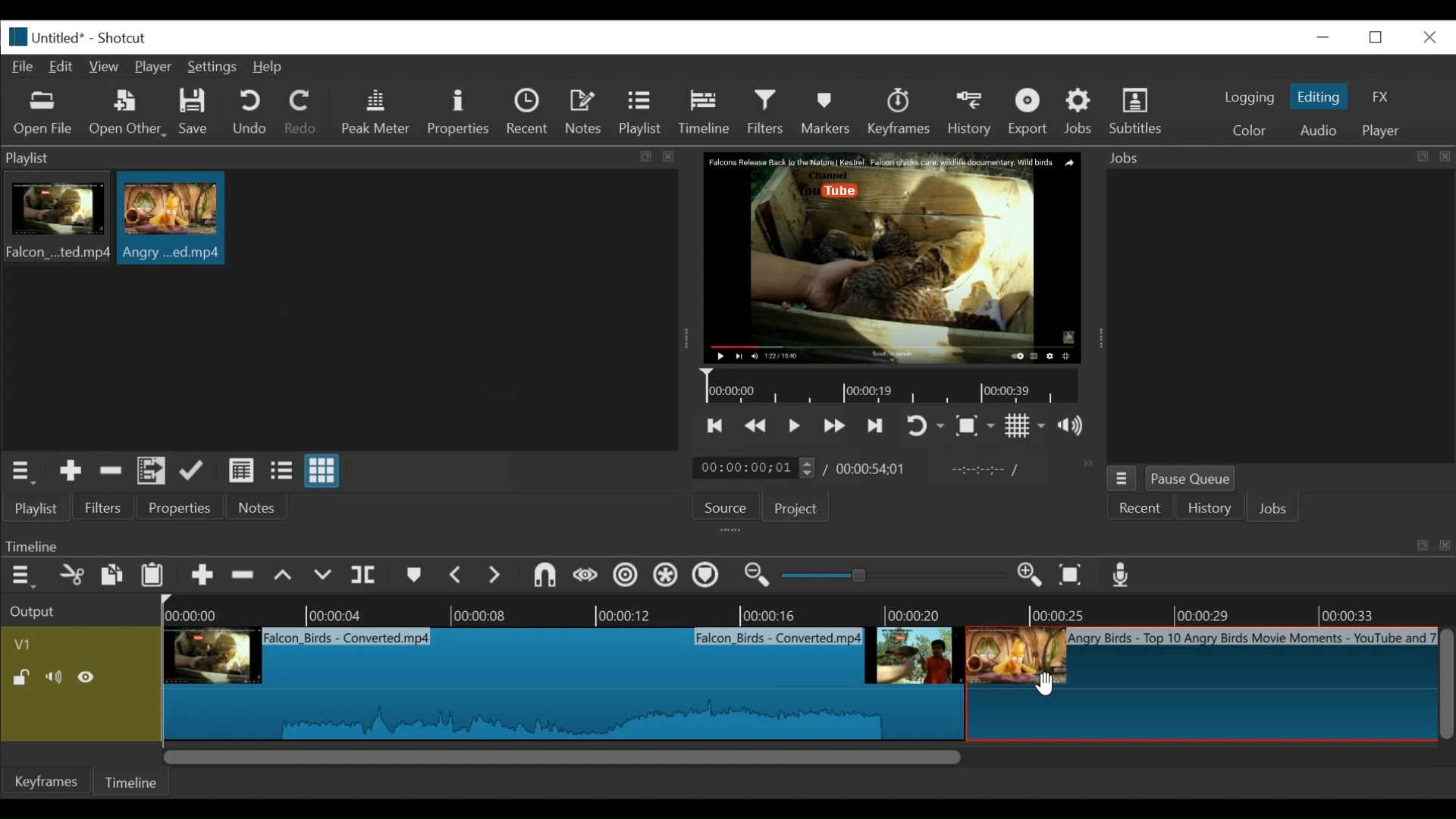 The height and width of the screenshot is (819, 1456). I want to click on Jobs, so click(1081, 111).